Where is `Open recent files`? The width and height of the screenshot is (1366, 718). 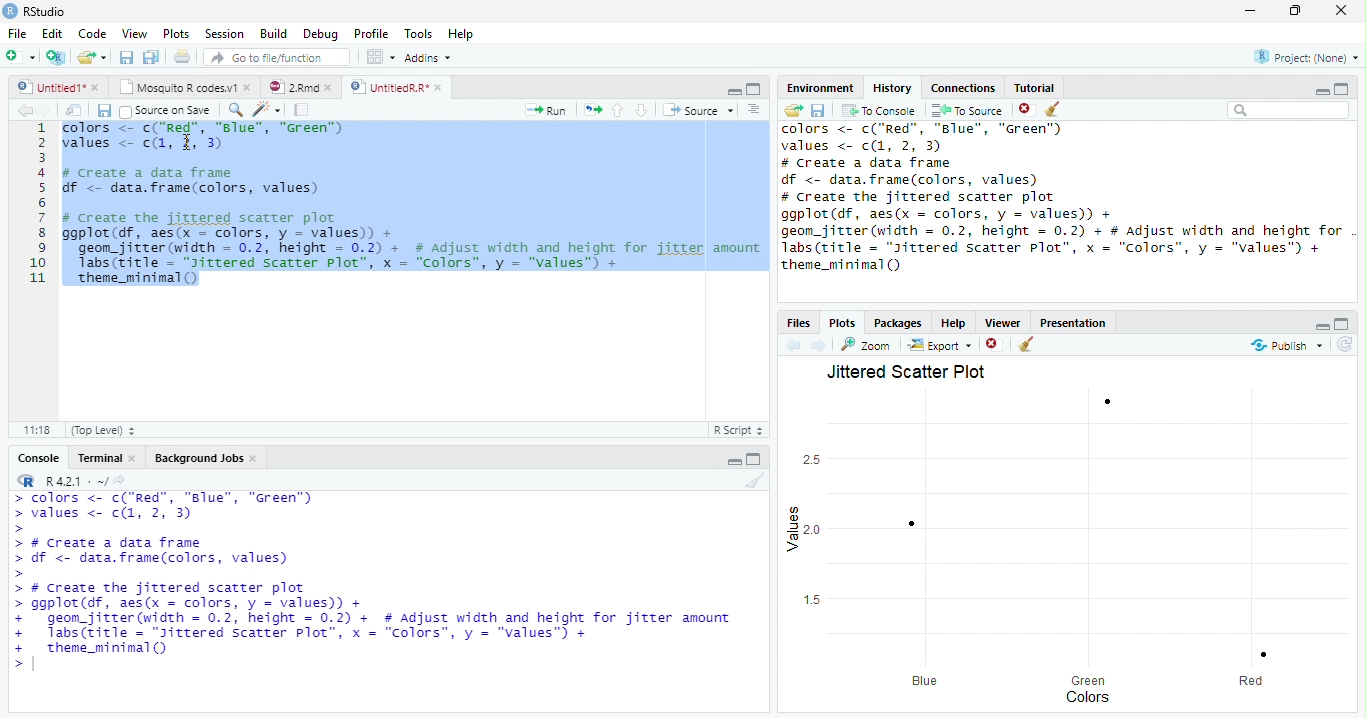 Open recent files is located at coordinates (104, 57).